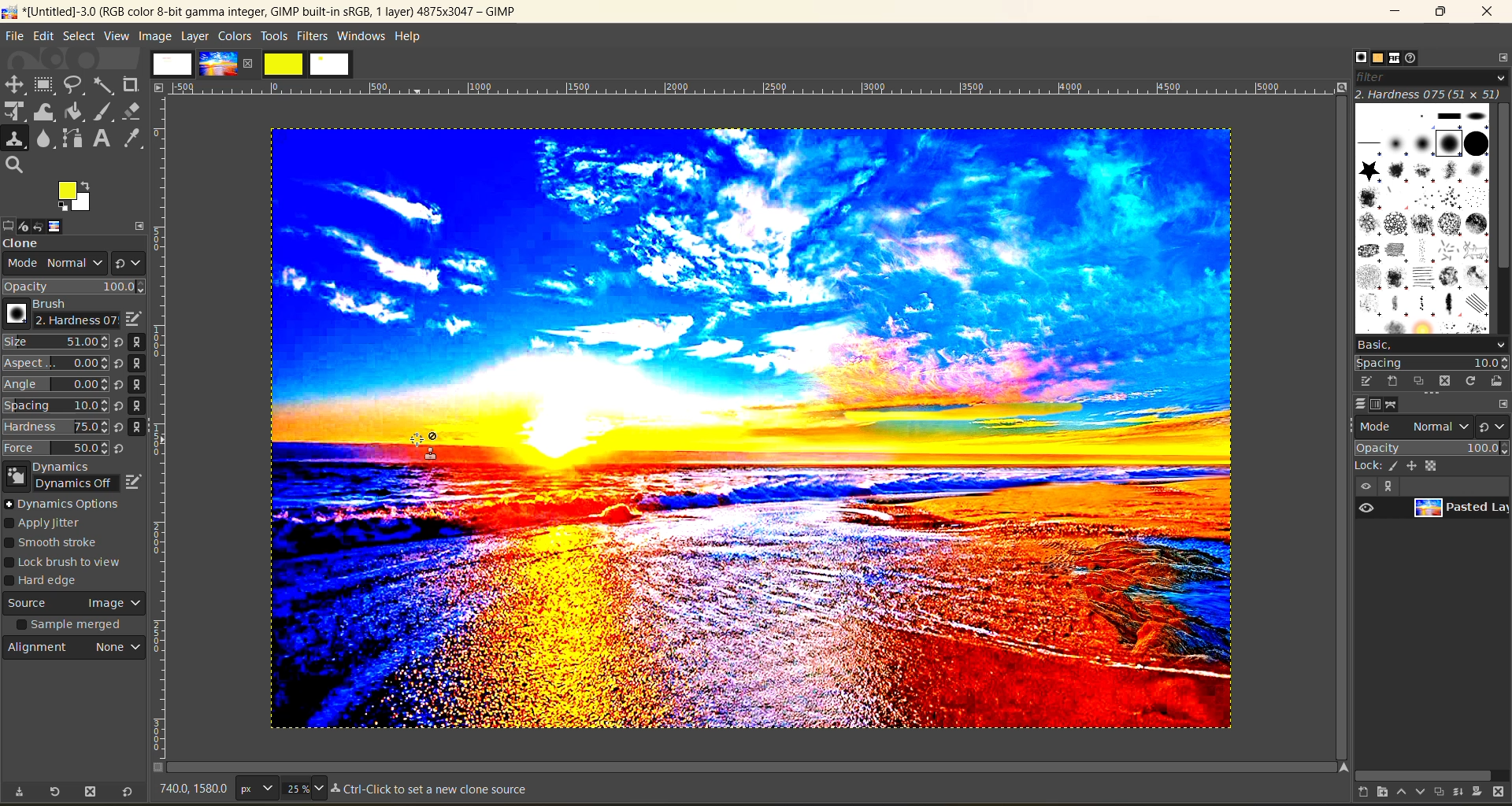 This screenshot has width=1512, height=806. Describe the element at coordinates (1440, 13) in the screenshot. I see `maximize` at that location.